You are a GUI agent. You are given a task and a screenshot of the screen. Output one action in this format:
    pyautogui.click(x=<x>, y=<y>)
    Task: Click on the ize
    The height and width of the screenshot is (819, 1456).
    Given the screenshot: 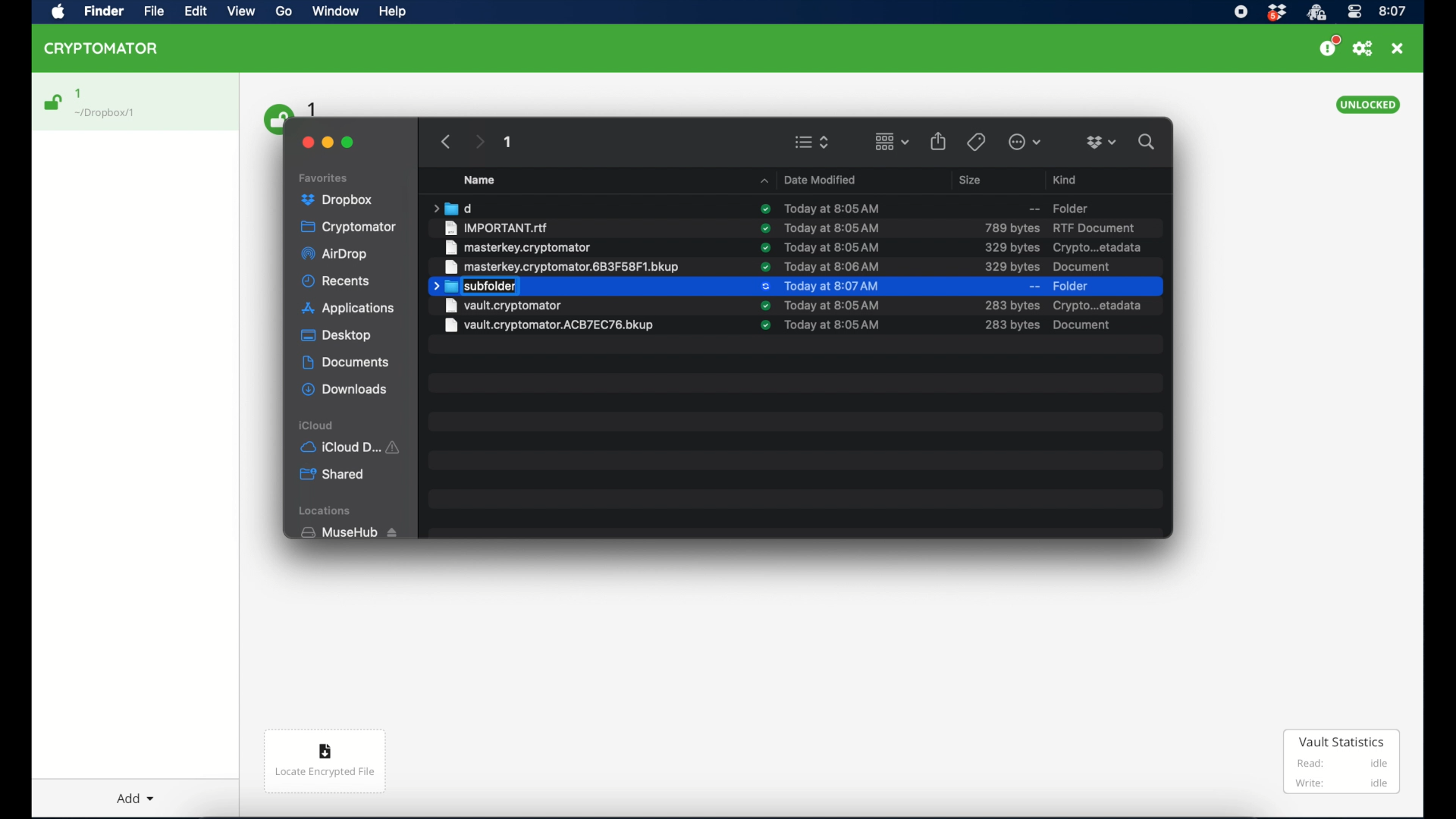 What is the action you would take?
    pyautogui.click(x=1012, y=306)
    